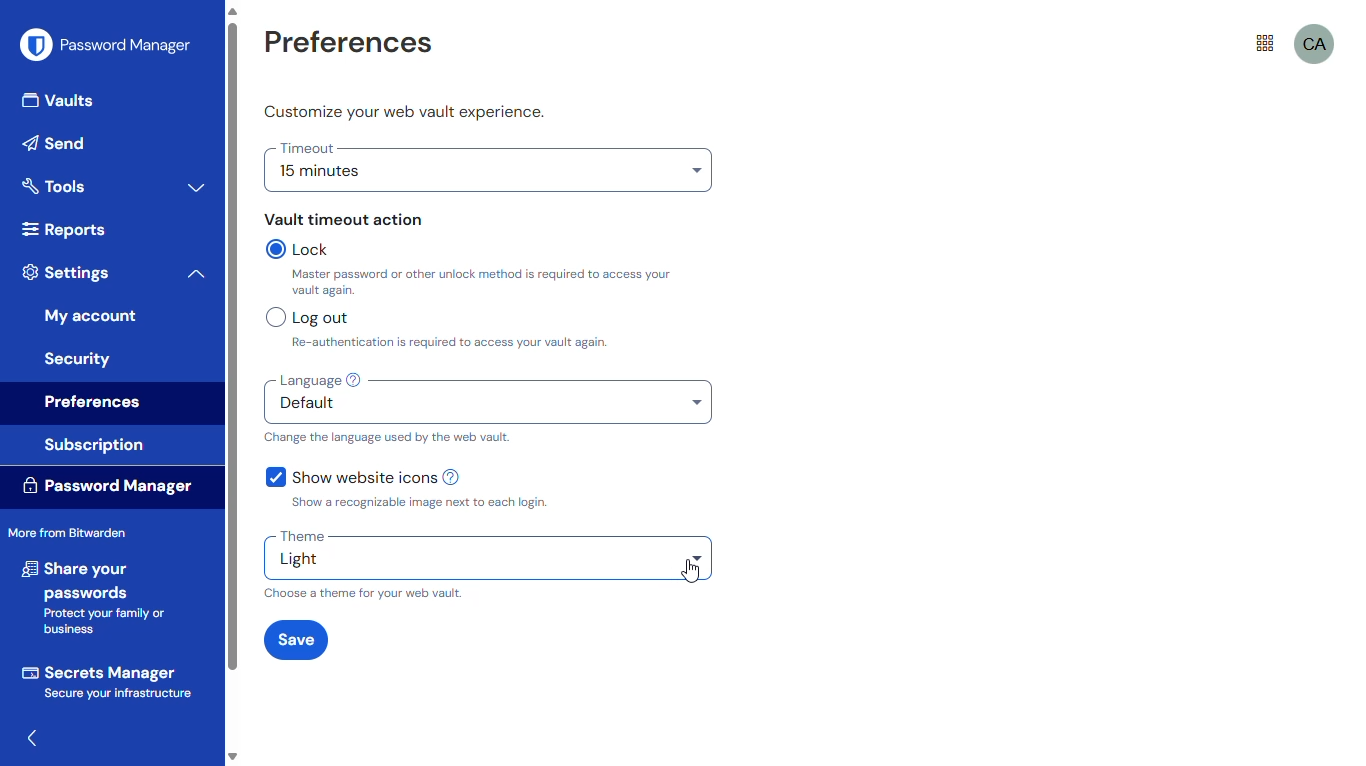 This screenshot has width=1366, height=766. Describe the element at coordinates (62, 229) in the screenshot. I see `reports` at that location.